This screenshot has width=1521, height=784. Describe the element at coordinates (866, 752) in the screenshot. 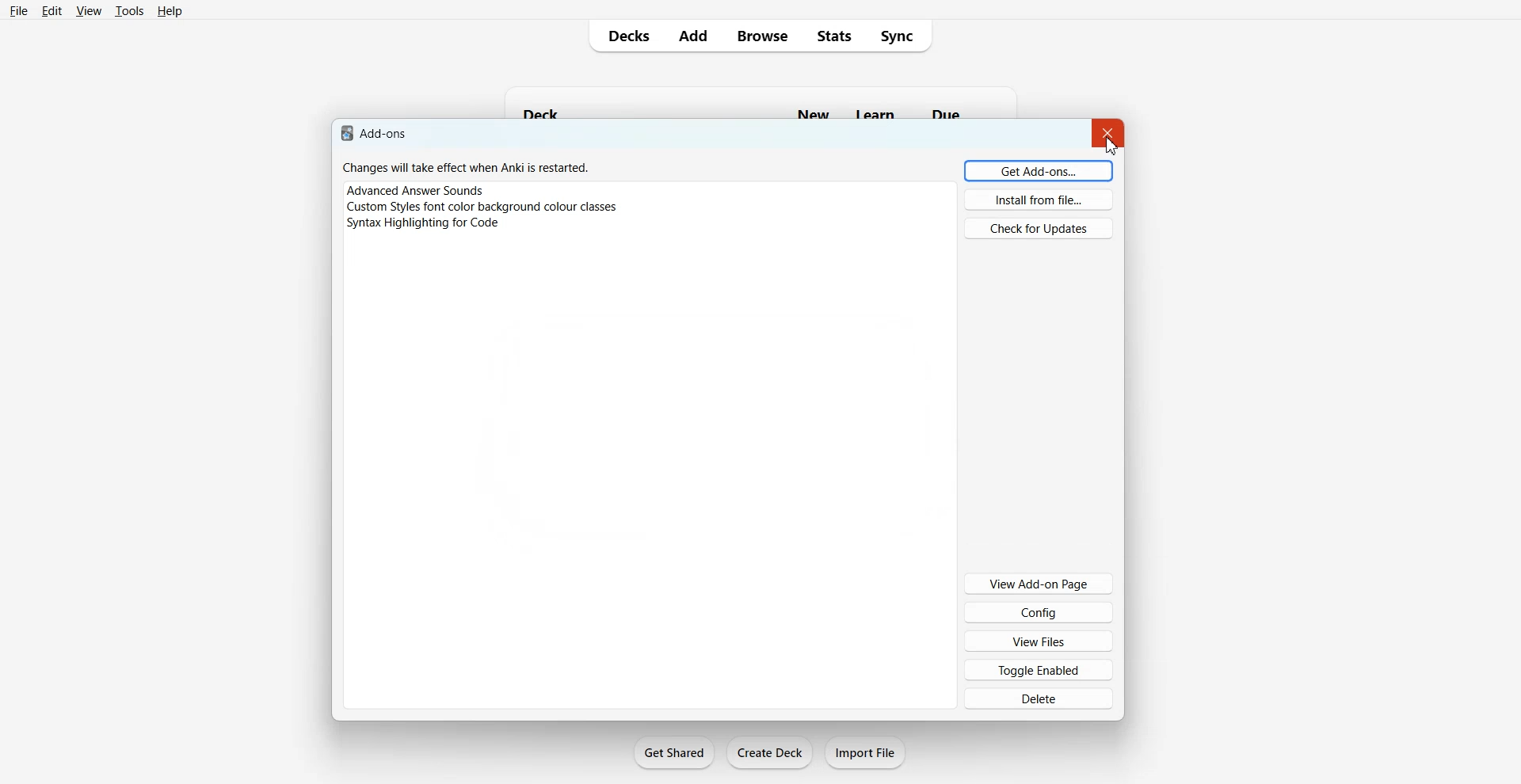

I see `Import File` at that location.